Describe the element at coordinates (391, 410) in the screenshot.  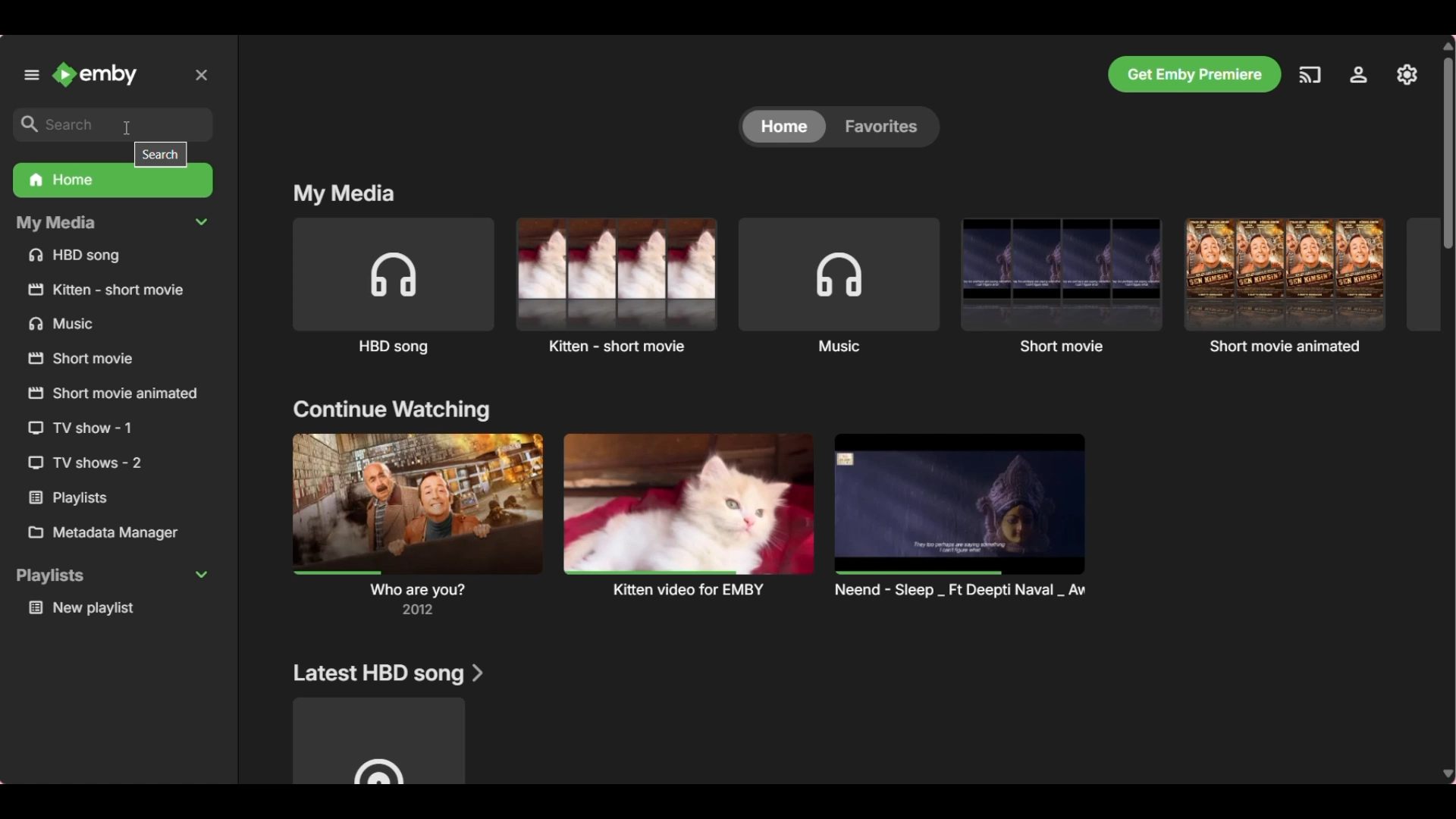
I see `Section title` at that location.